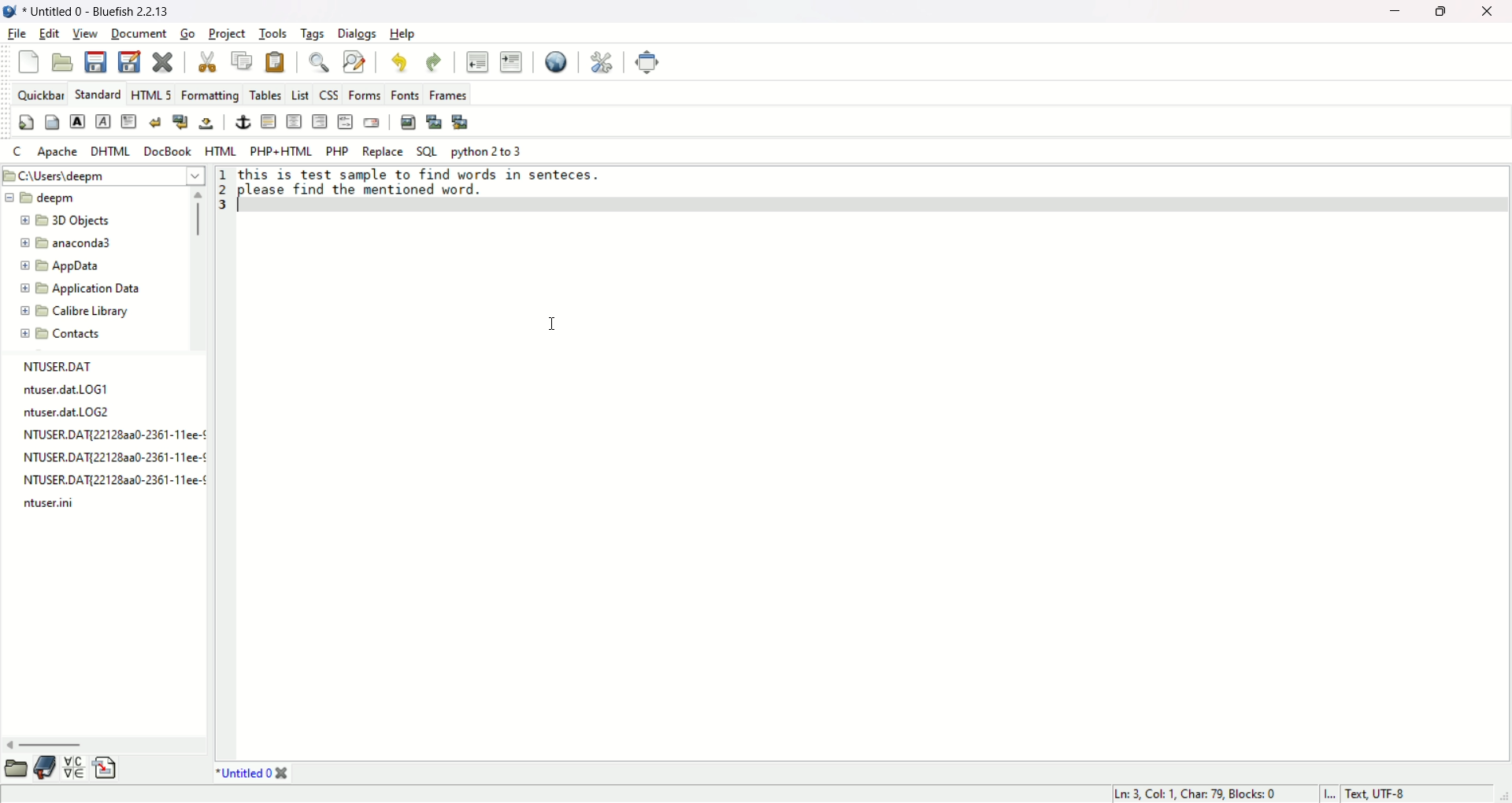  Describe the element at coordinates (103, 458) in the screenshot. I see `NTUSER.DAT{22128aa0-2361-11ee-` at that location.